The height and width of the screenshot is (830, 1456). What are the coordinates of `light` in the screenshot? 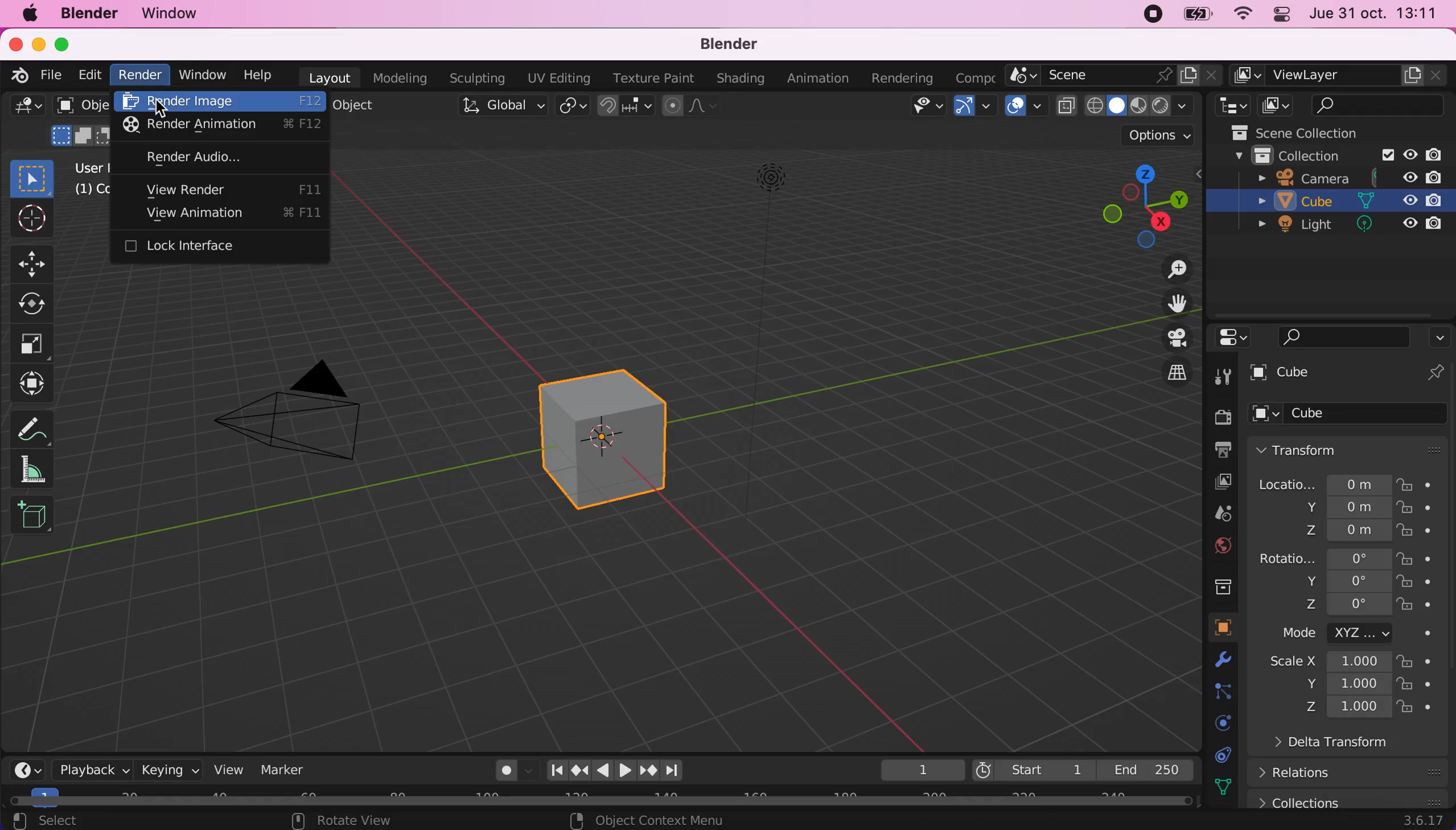 It's located at (1341, 227).